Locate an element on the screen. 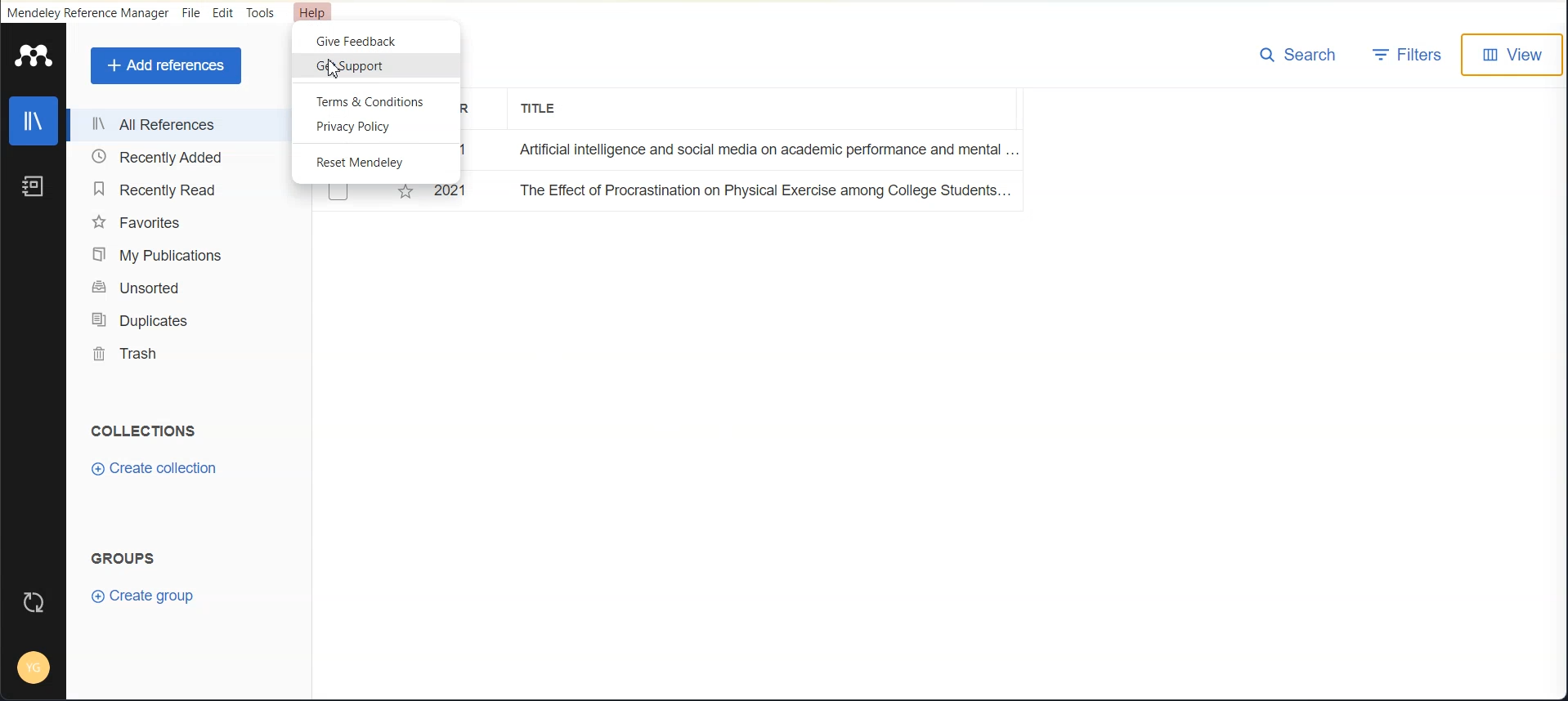  My Publications is located at coordinates (183, 254).